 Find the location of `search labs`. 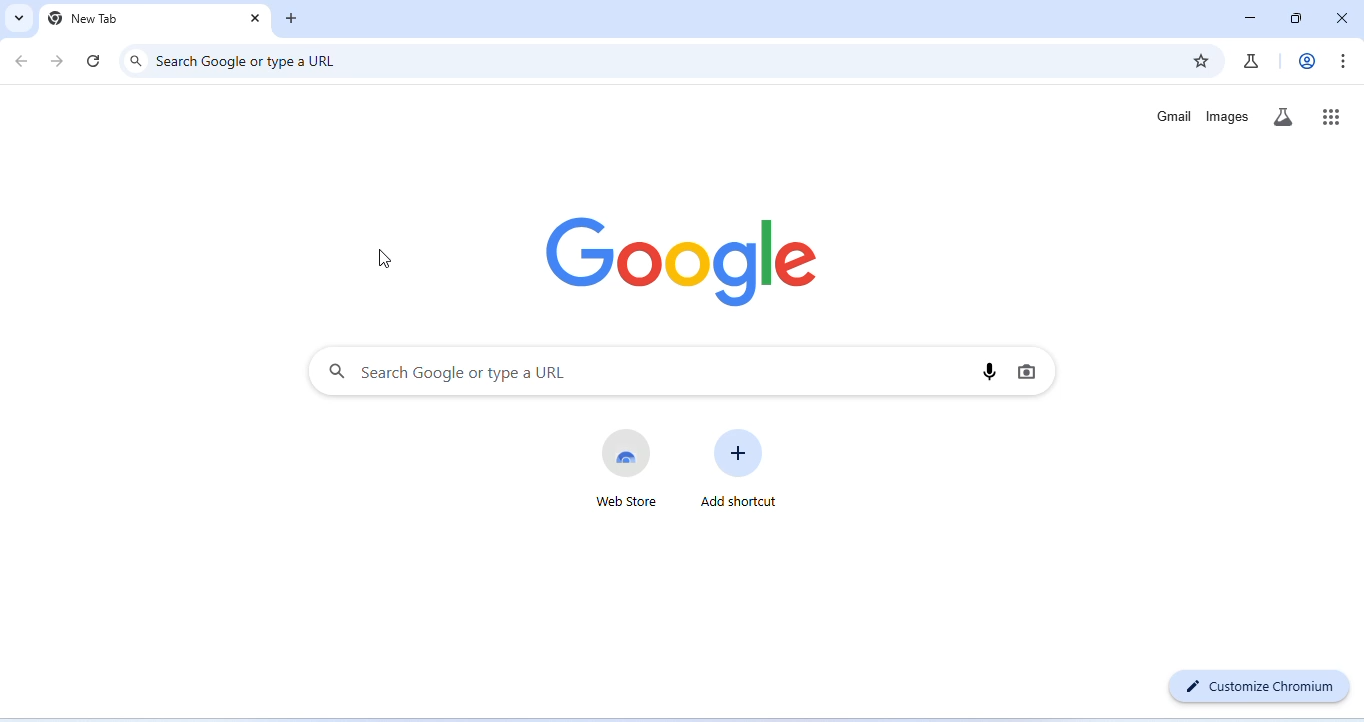

search labs is located at coordinates (1282, 118).